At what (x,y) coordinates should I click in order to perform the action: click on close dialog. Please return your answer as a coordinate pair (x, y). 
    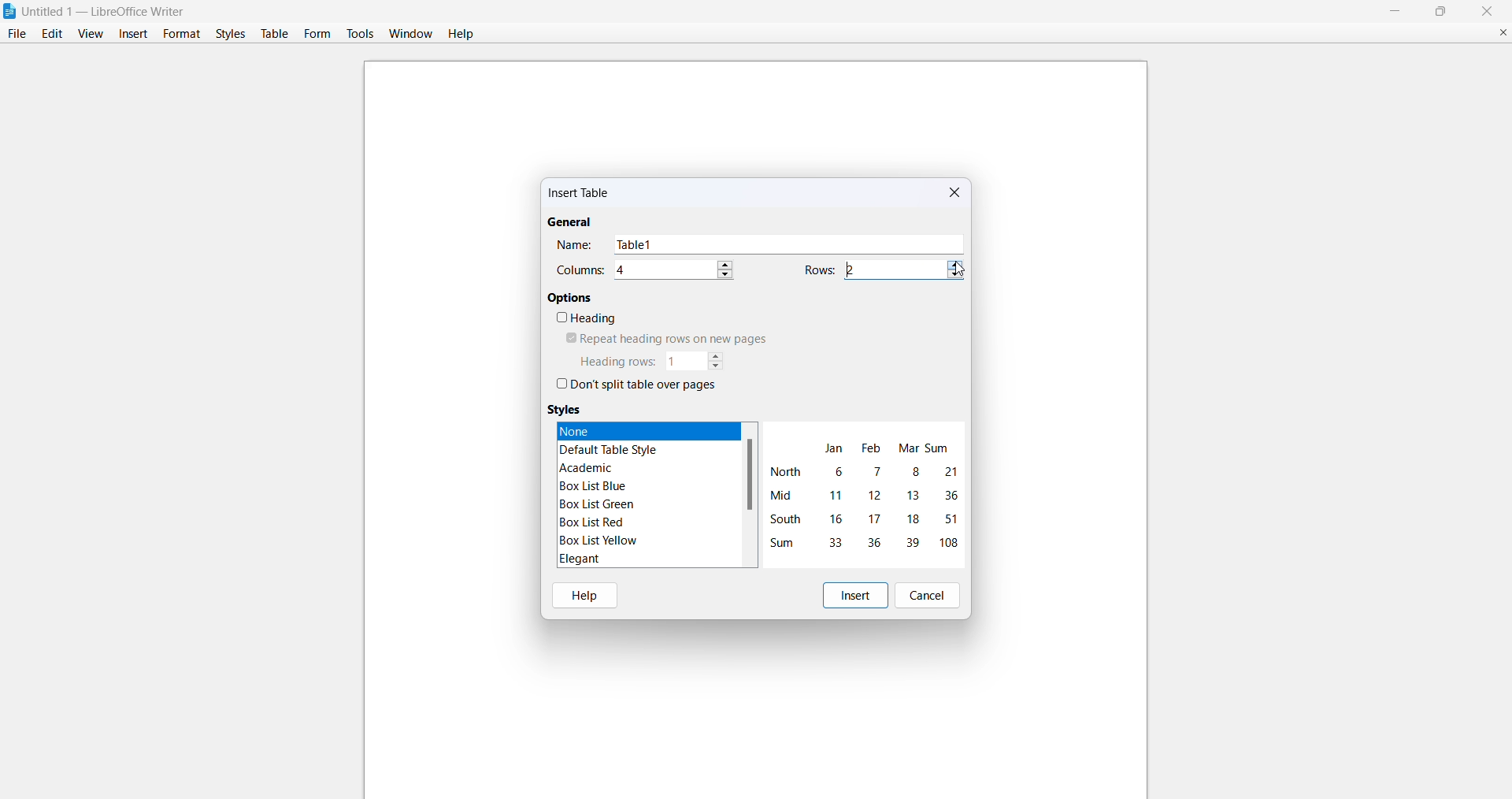
    Looking at the image, I should click on (957, 193).